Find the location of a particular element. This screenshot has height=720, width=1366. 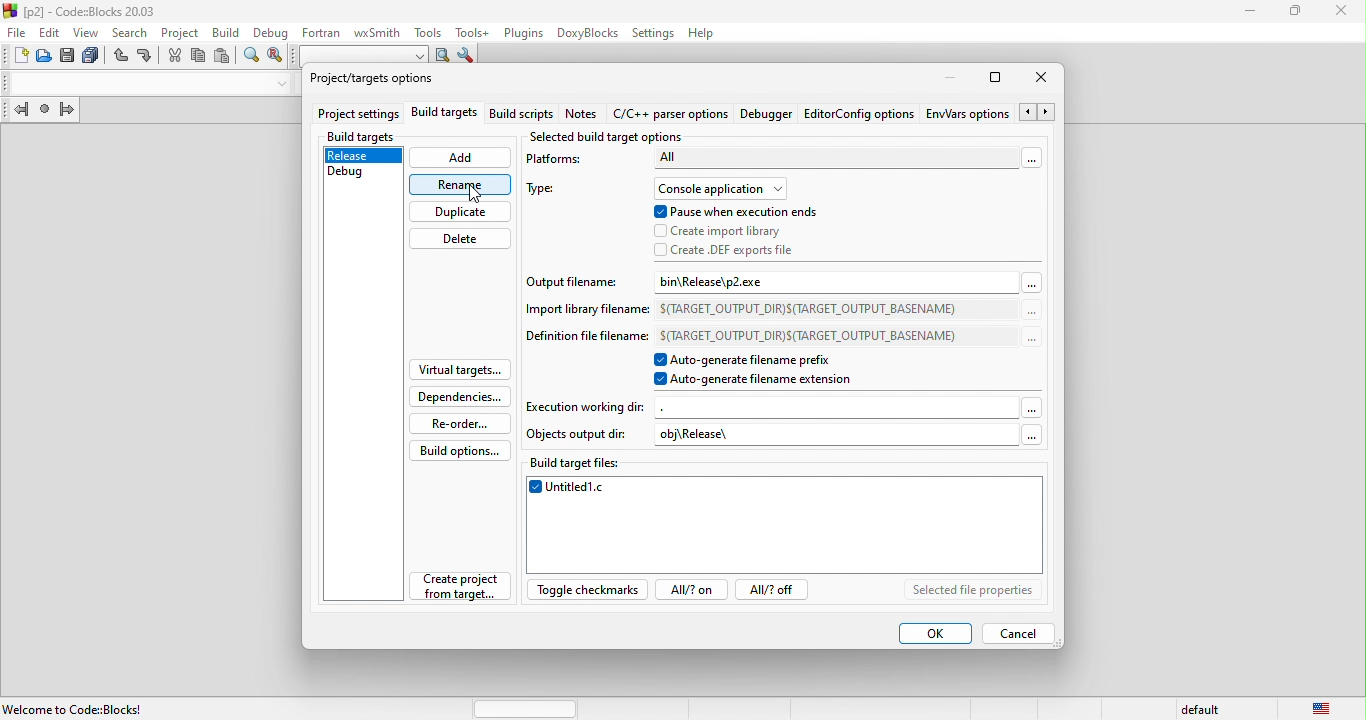

fortran is located at coordinates (318, 31).